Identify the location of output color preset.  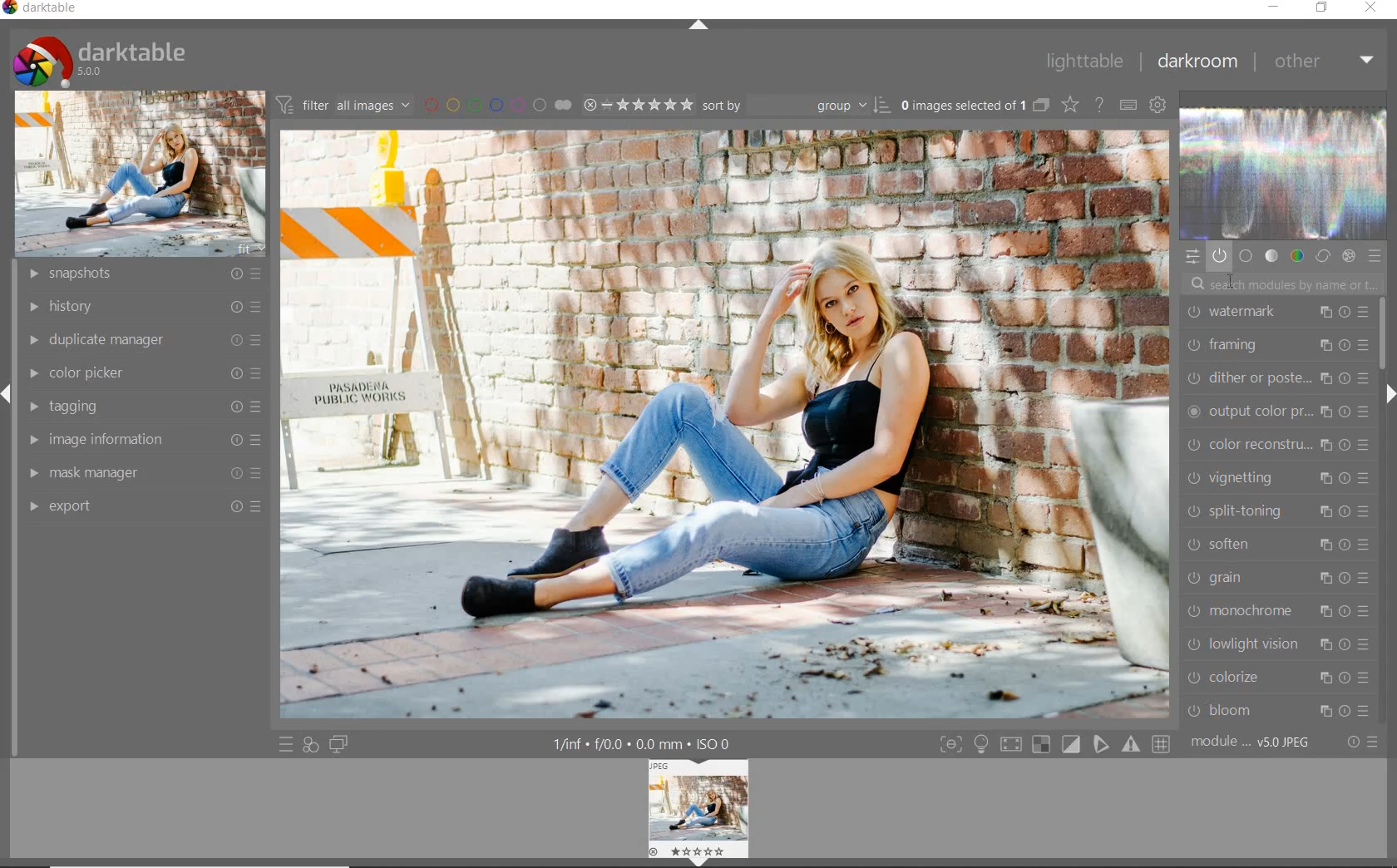
(1274, 413).